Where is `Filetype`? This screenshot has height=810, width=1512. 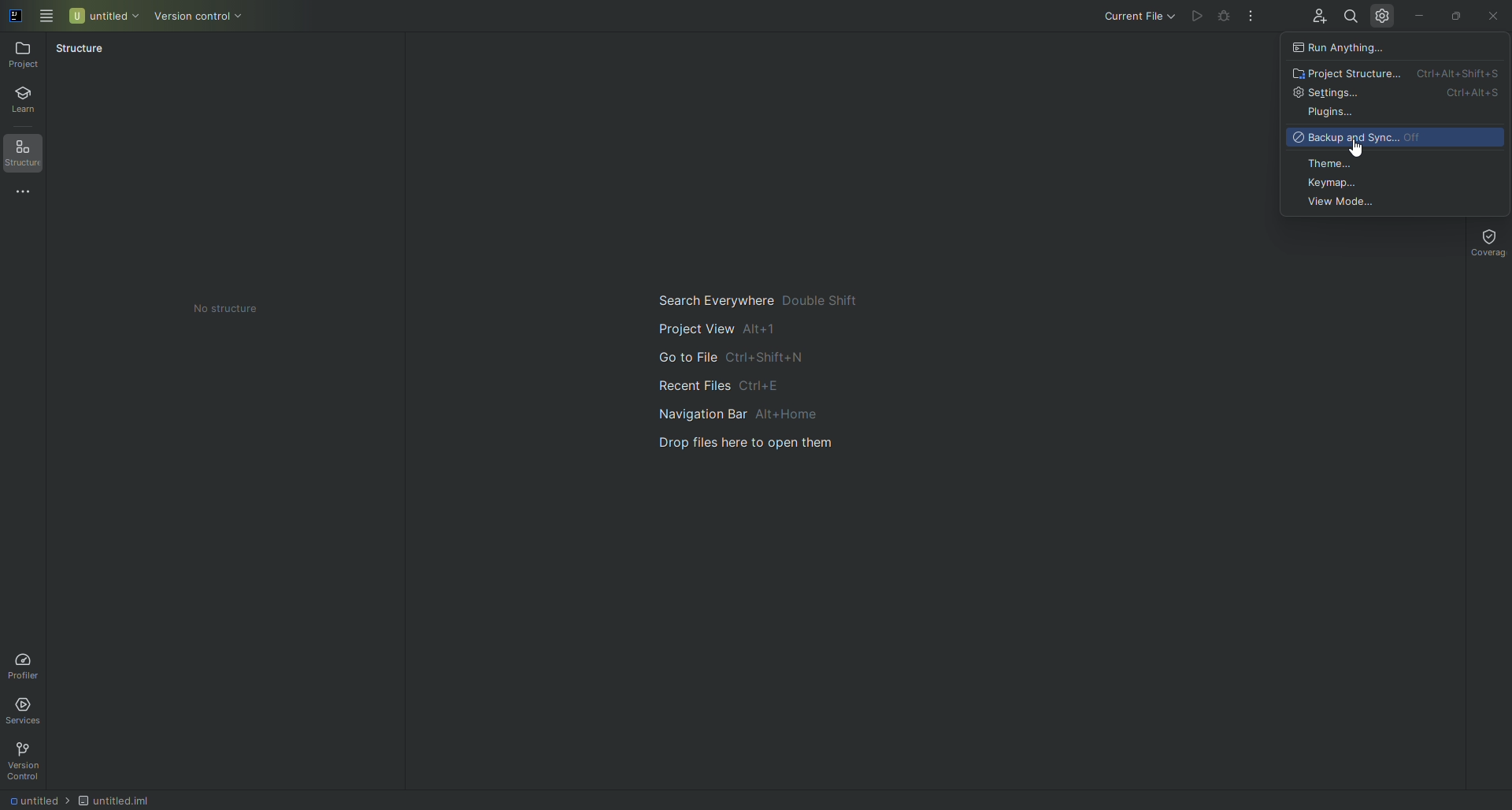 Filetype is located at coordinates (34, 800).